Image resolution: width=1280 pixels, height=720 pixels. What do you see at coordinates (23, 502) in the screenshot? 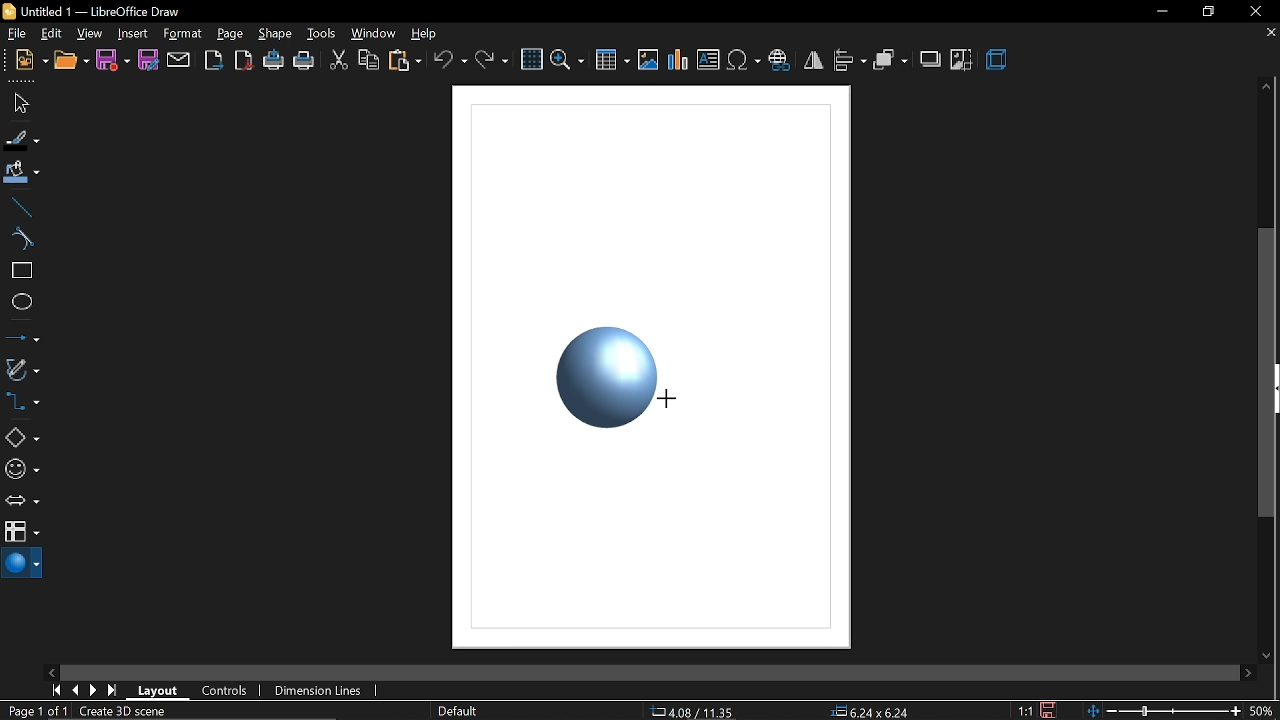
I see `arrows` at bounding box center [23, 502].